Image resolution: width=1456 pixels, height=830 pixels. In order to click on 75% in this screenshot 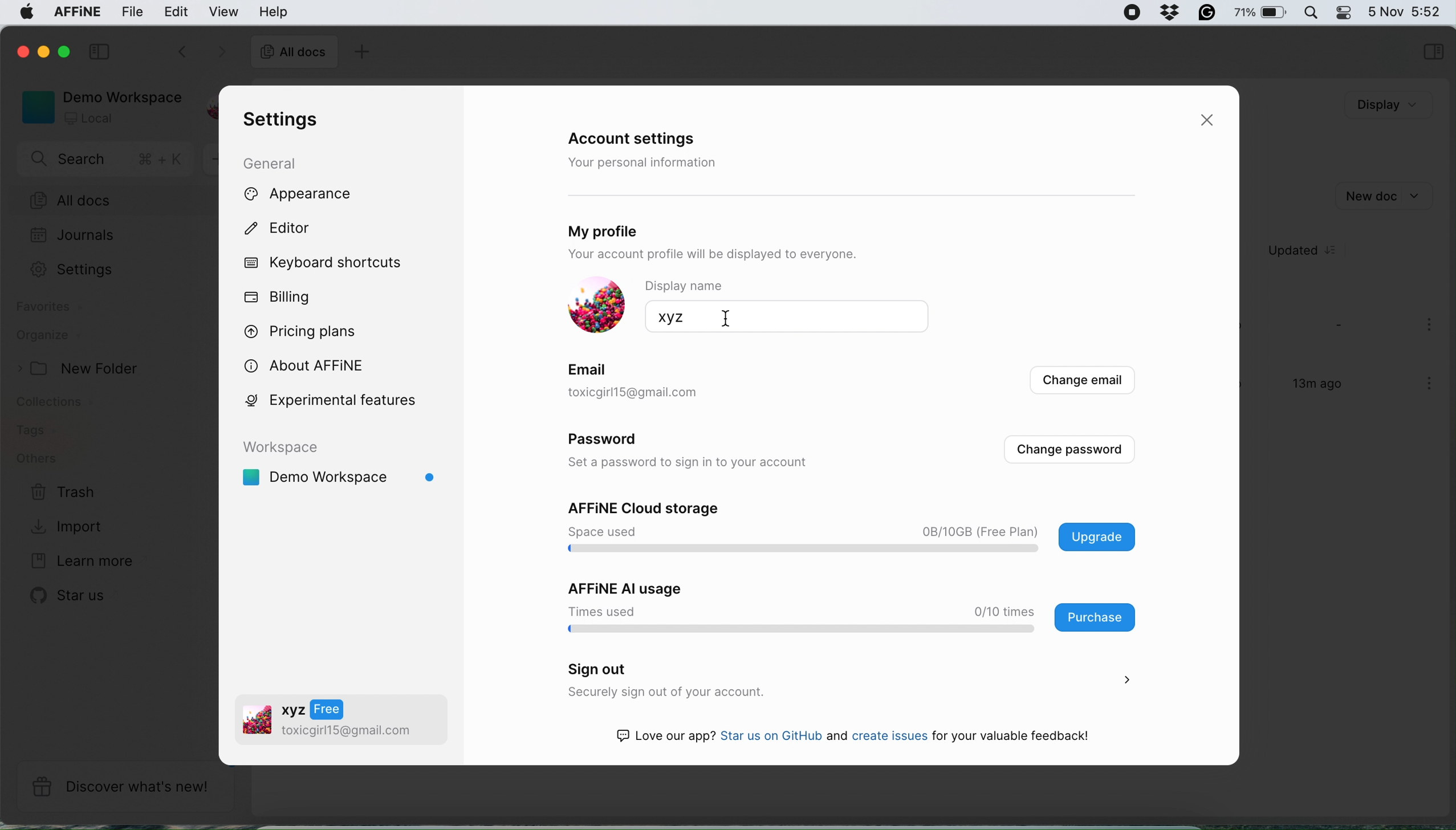, I will do `click(1260, 14)`.